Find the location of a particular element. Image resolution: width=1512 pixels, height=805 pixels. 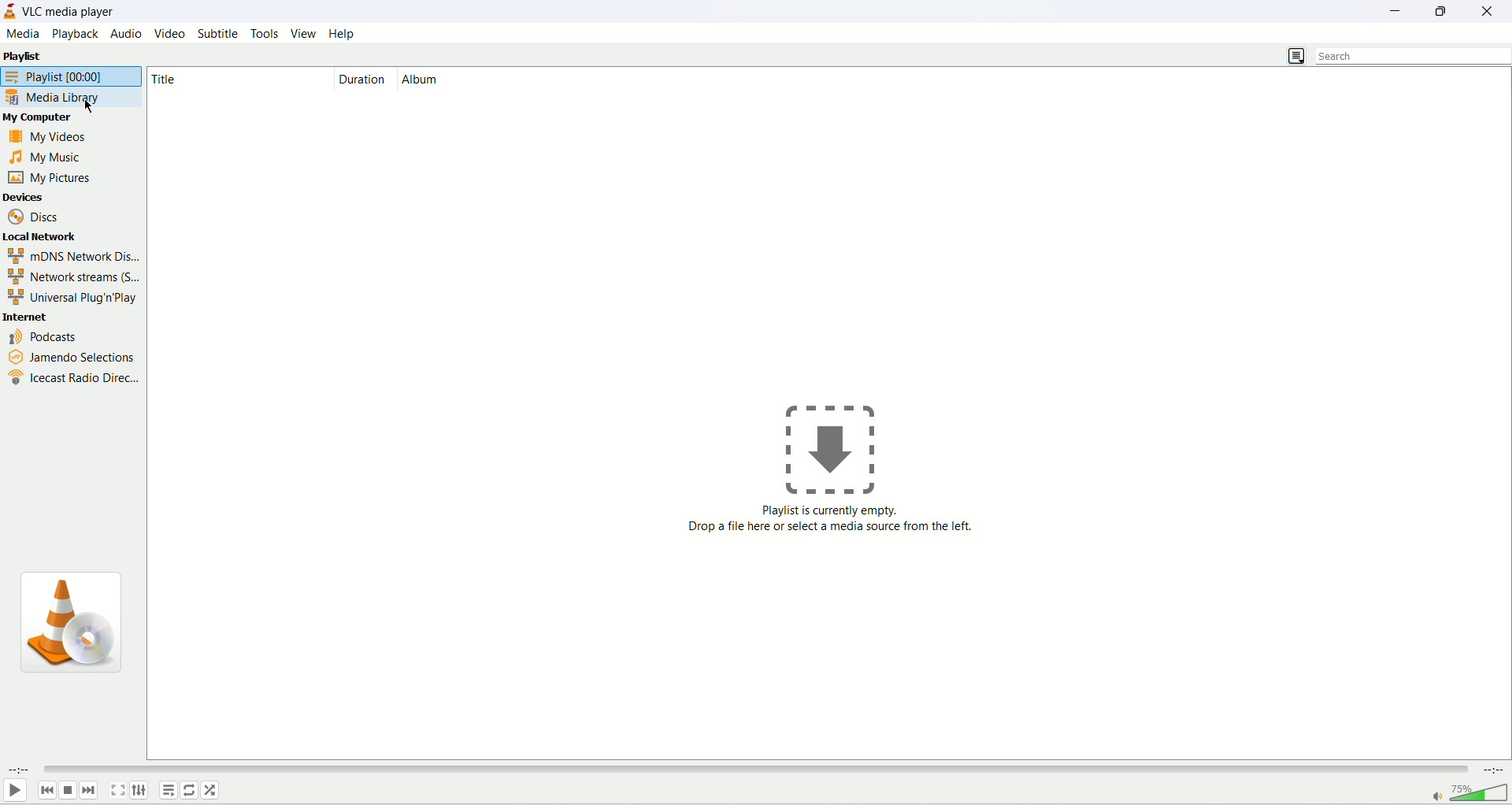

VLC media player is located at coordinates (73, 11).